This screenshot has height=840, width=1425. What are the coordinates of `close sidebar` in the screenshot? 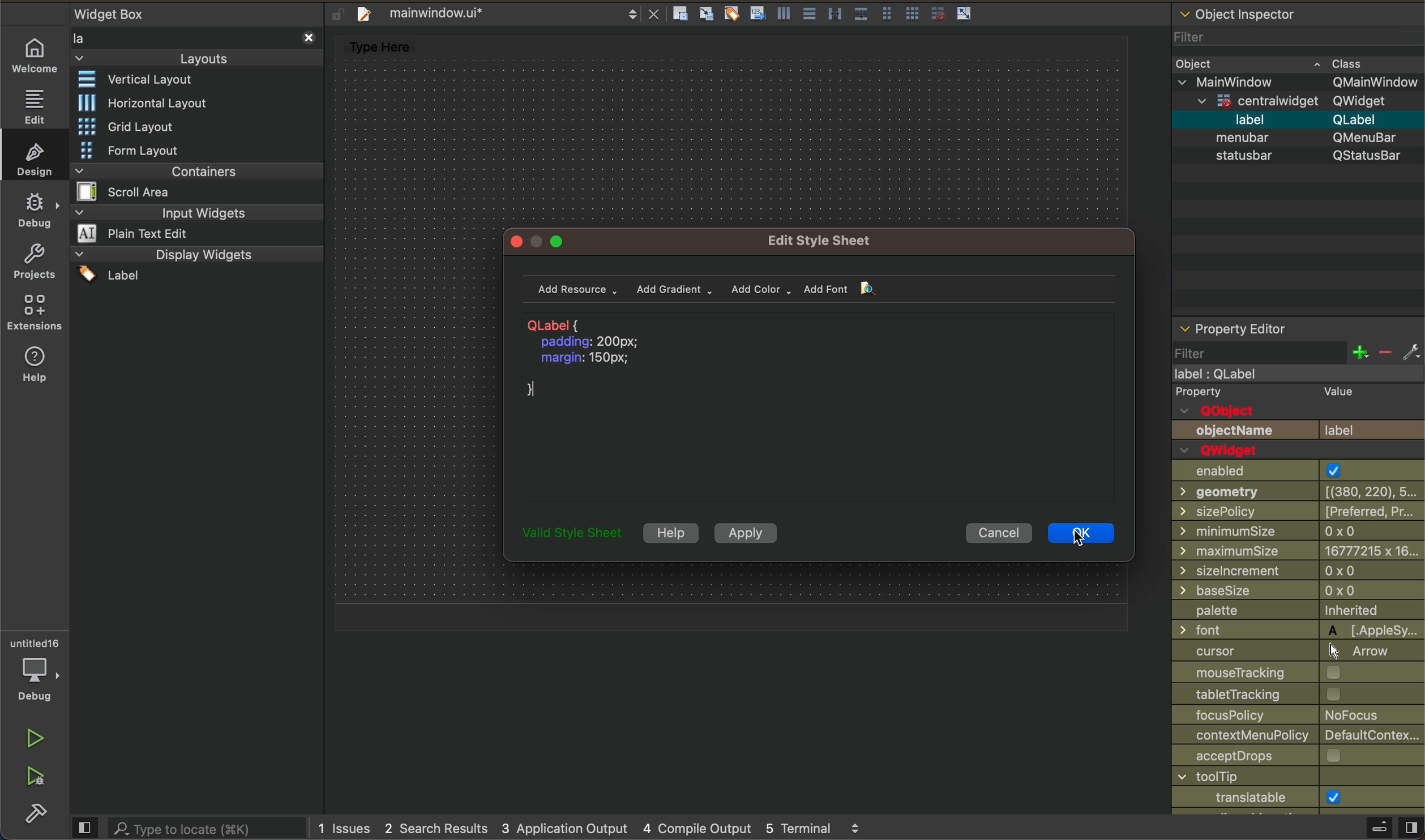 It's located at (1360, 828).